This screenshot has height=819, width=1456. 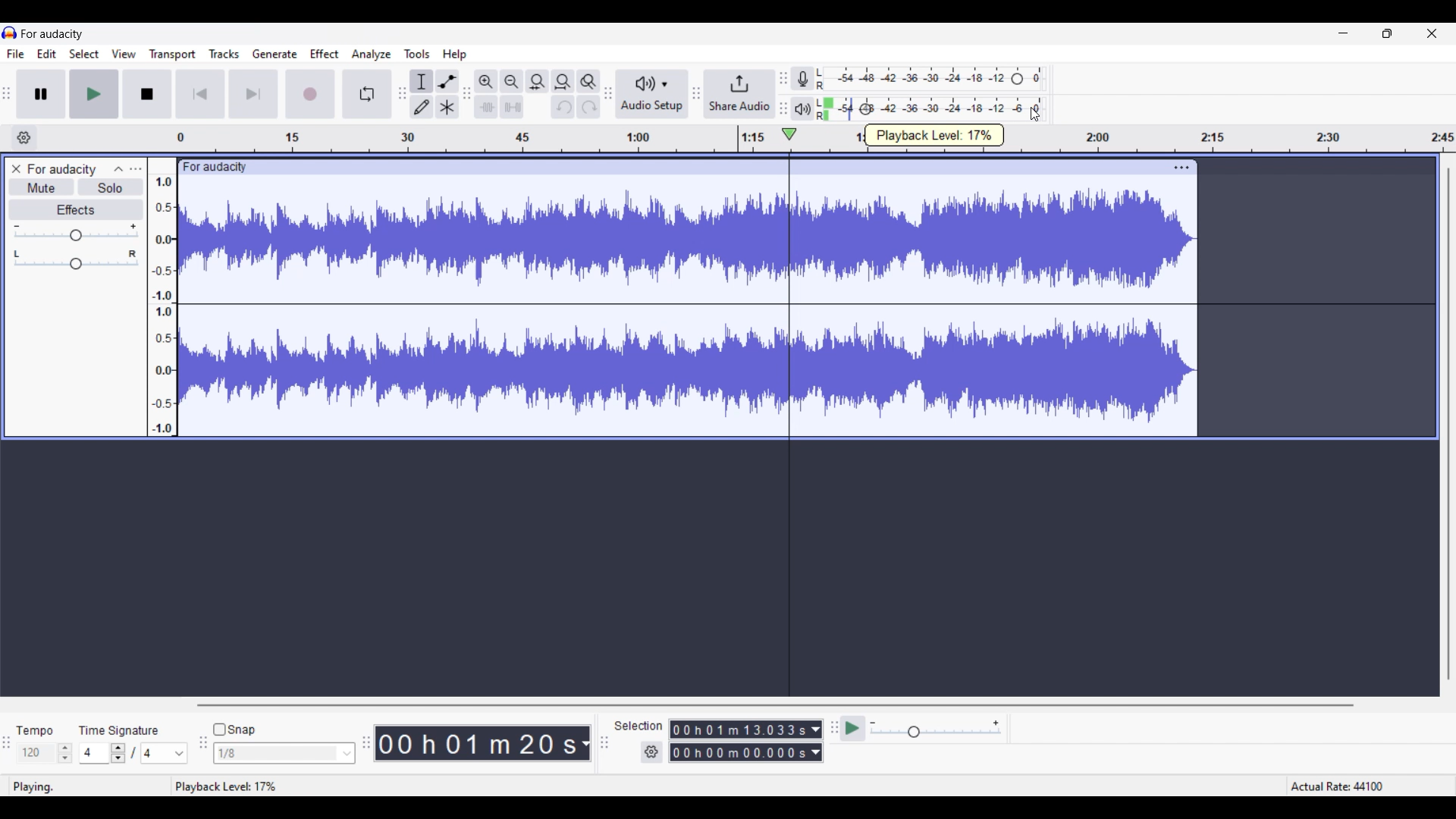 I want to click on Scale to measure sound intensity, so click(x=163, y=305).